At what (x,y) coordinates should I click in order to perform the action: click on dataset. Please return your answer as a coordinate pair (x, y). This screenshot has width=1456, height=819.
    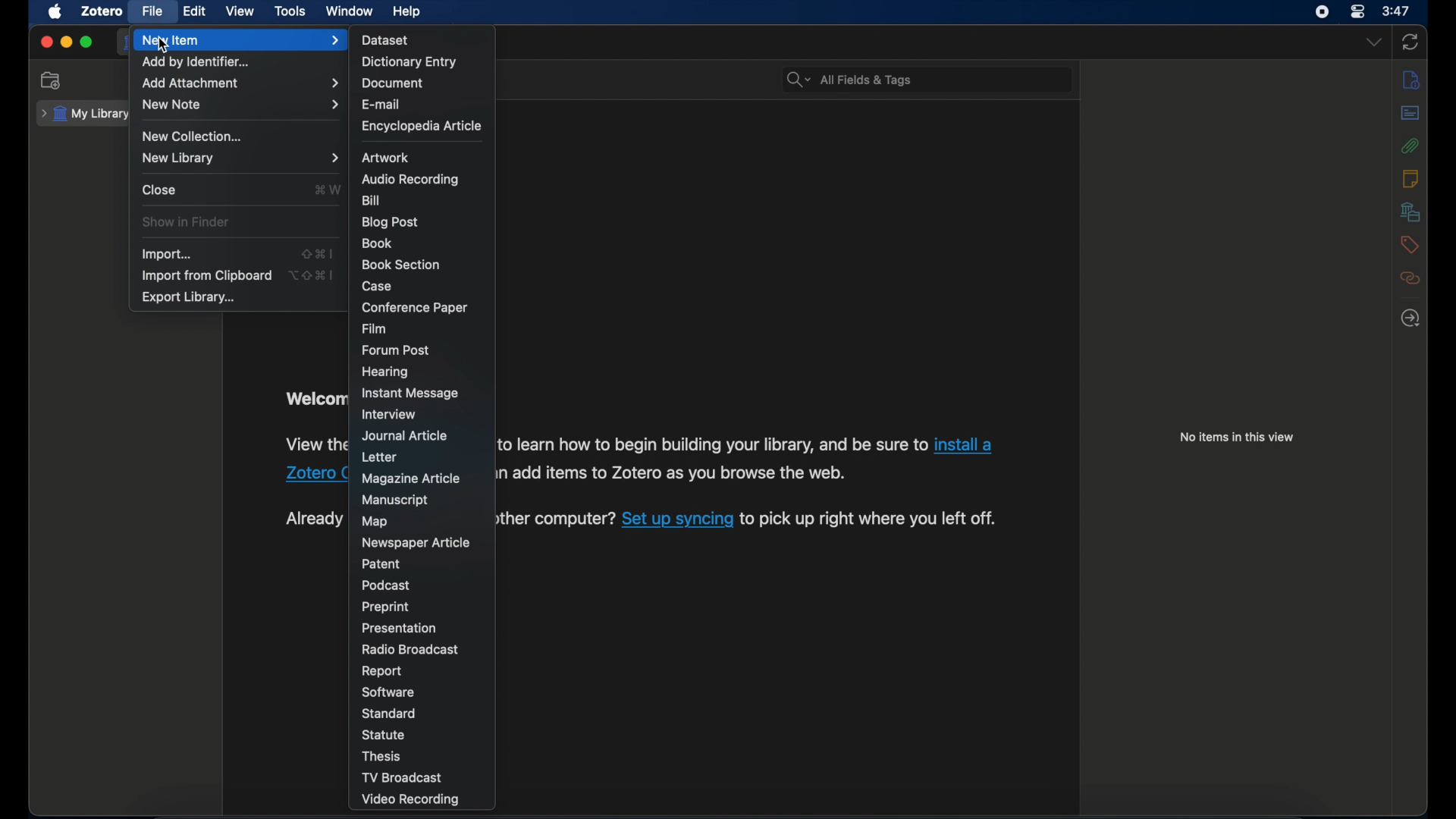
    Looking at the image, I should click on (386, 39).